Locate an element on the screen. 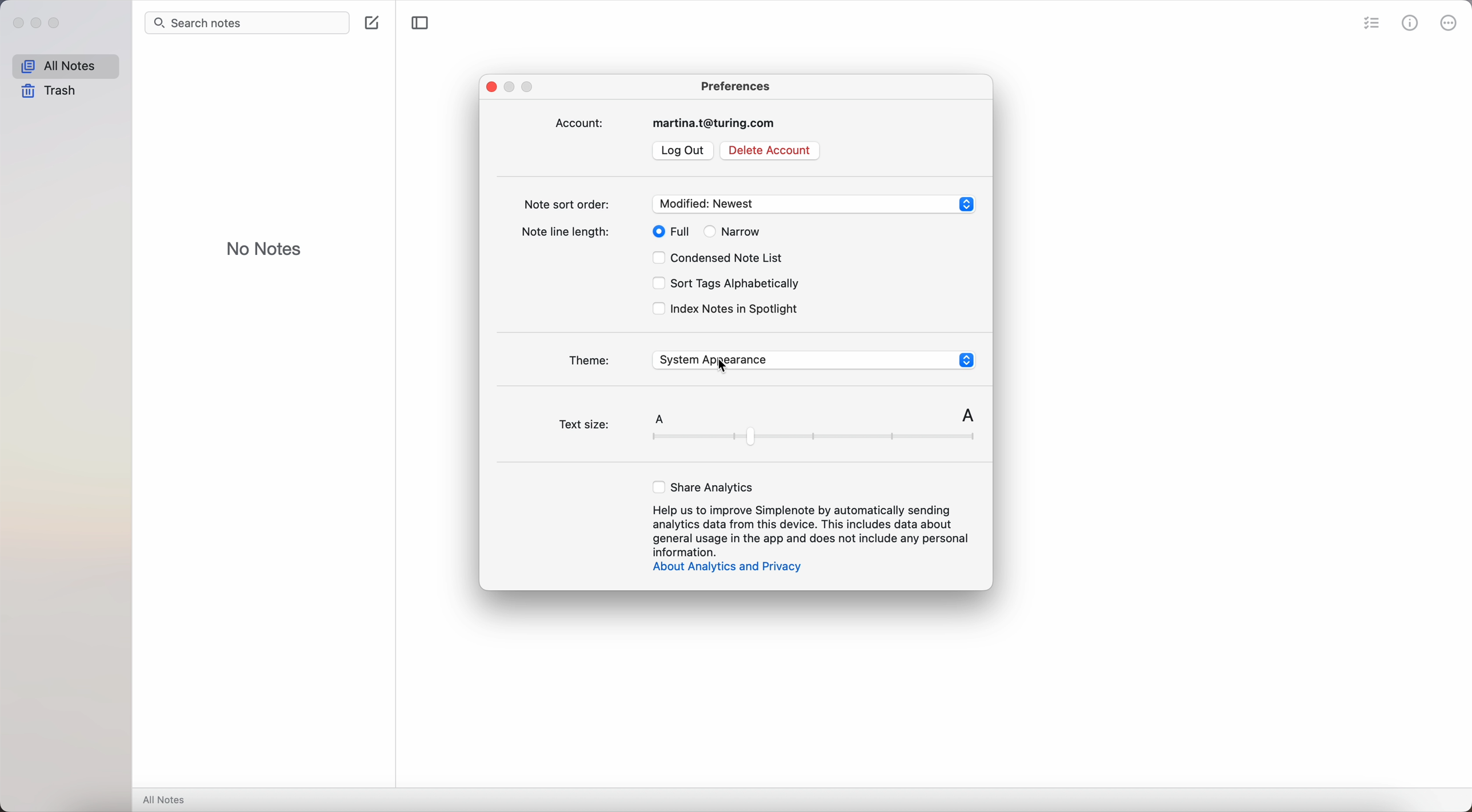 This screenshot has height=812, width=1472. more options is located at coordinates (1450, 22).